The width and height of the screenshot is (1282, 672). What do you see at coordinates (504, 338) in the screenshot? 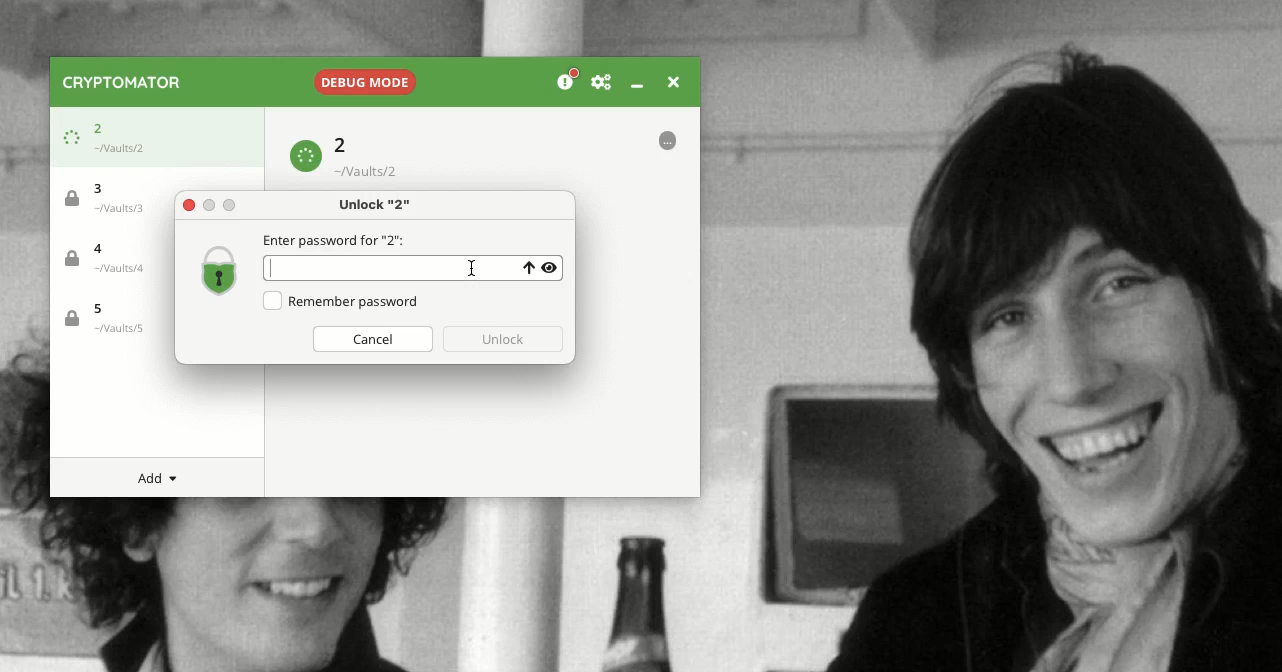
I see `Unlock` at bounding box center [504, 338].